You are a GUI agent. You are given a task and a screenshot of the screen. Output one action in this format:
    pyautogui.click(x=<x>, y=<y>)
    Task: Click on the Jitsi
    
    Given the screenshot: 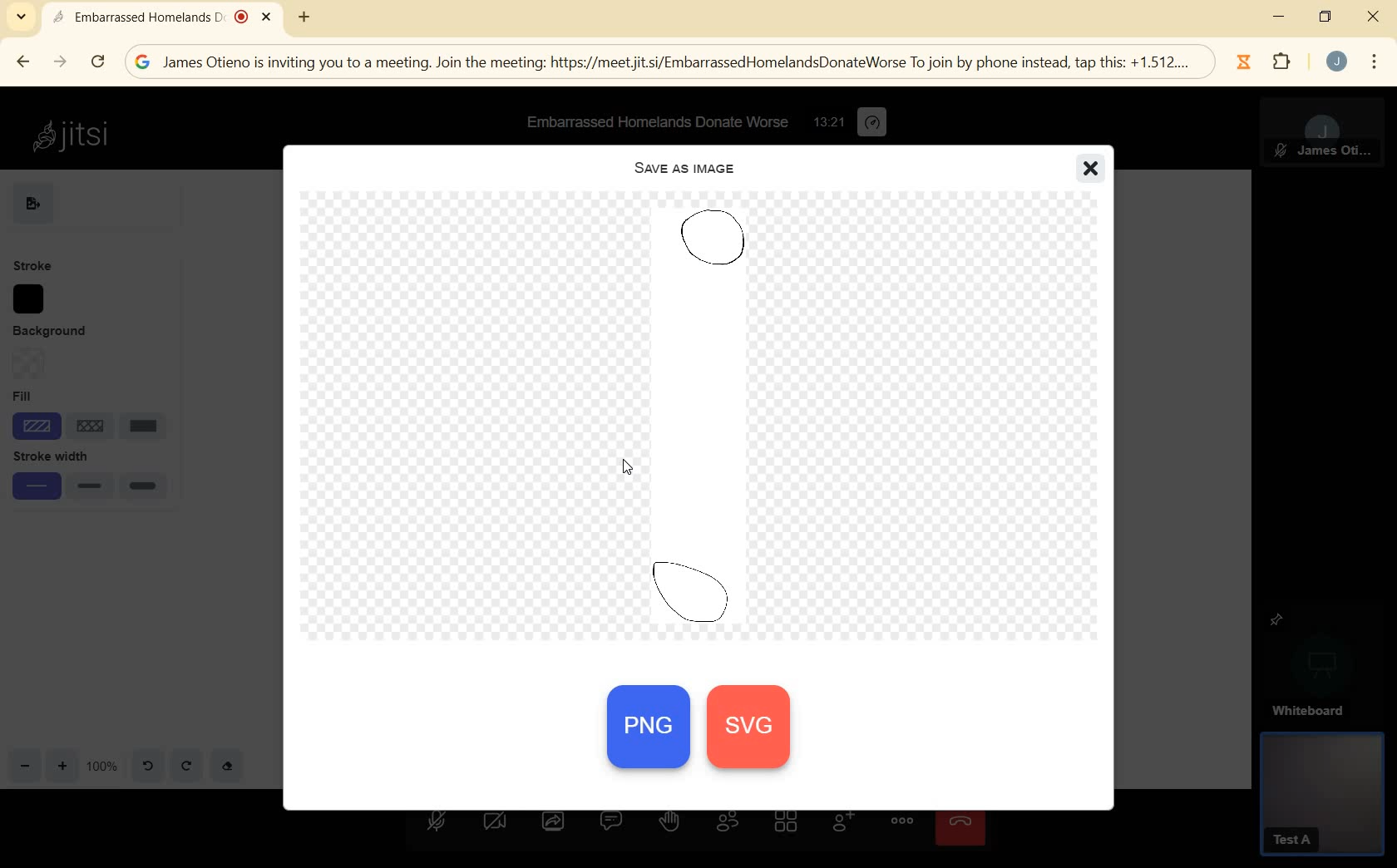 What is the action you would take?
    pyautogui.click(x=77, y=136)
    